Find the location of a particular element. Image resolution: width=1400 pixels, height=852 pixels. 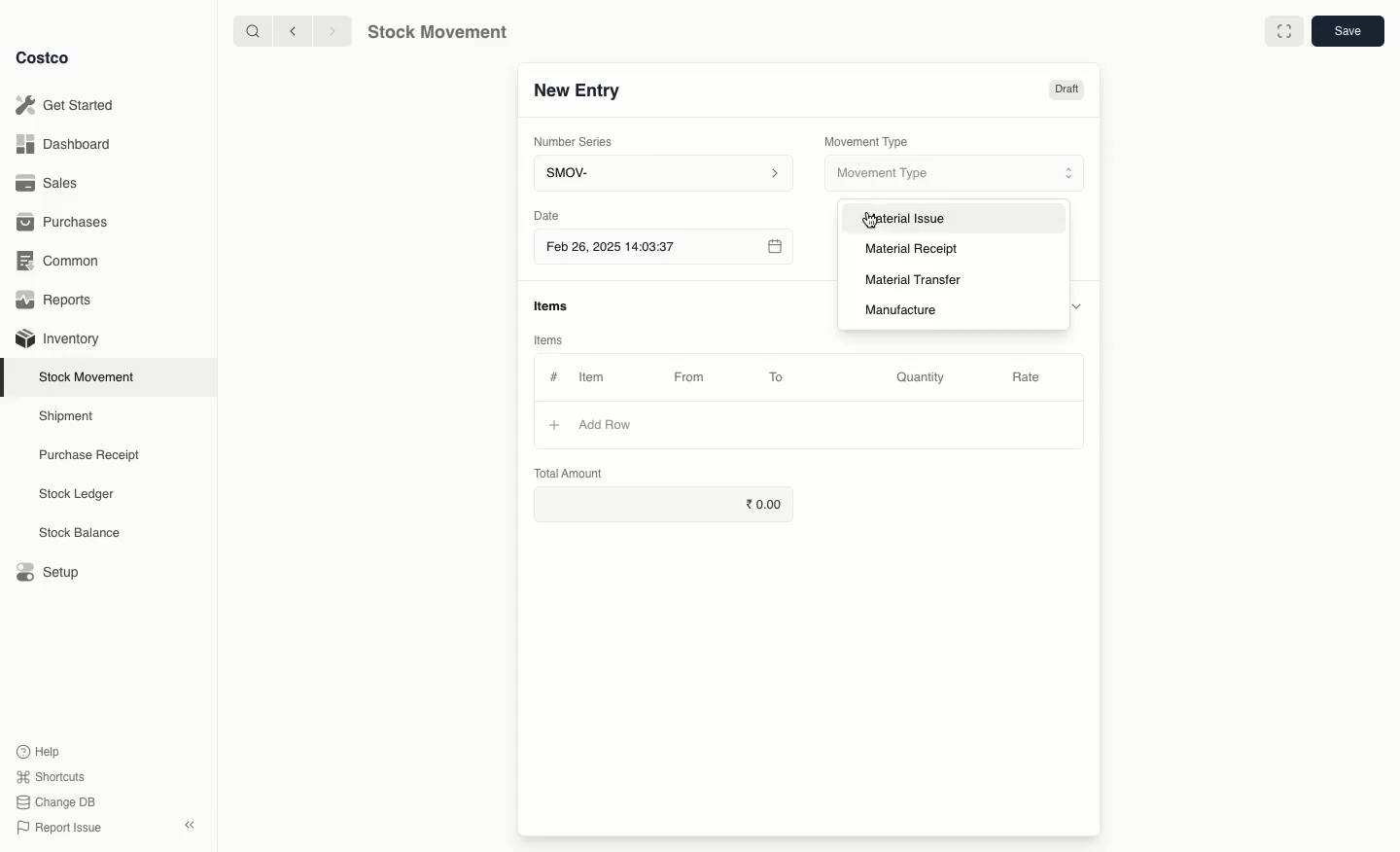

Material Receipt is located at coordinates (908, 248).